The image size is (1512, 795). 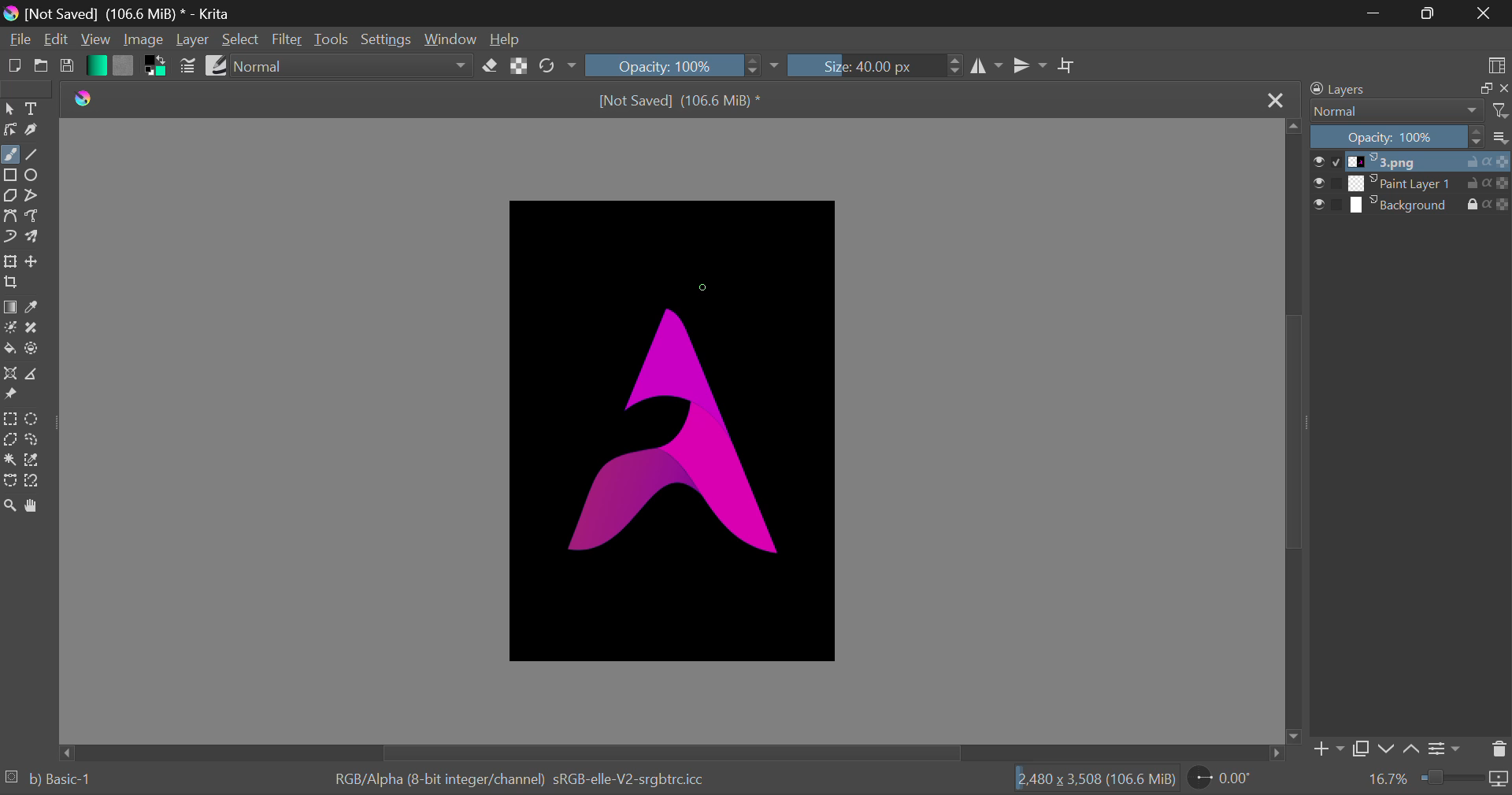 I want to click on 0.00, so click(x=1225, y=780).